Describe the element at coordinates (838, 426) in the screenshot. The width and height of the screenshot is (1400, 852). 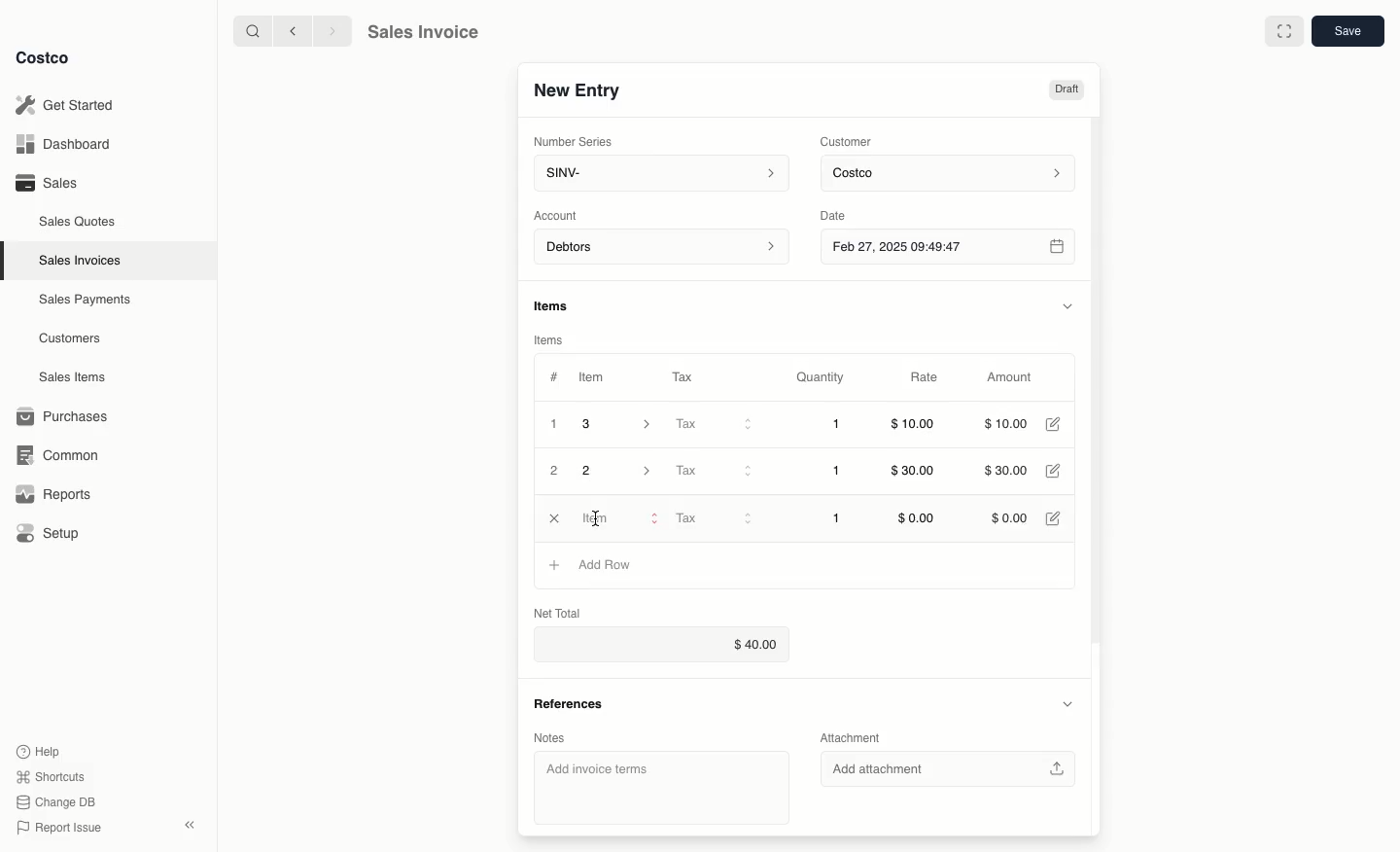
I see `1` at that location.